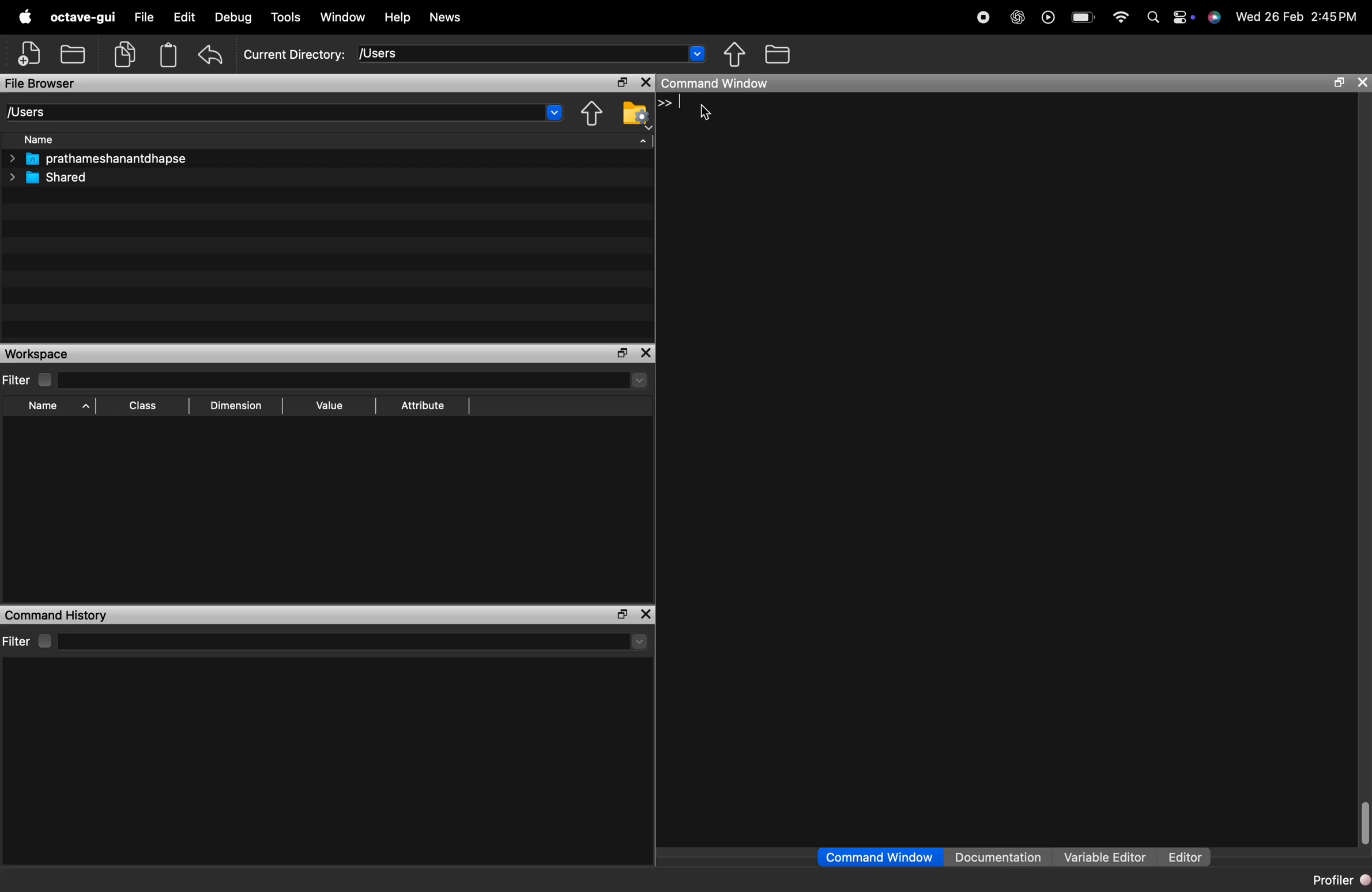  I want to click on Dimension, so click(239, 406).